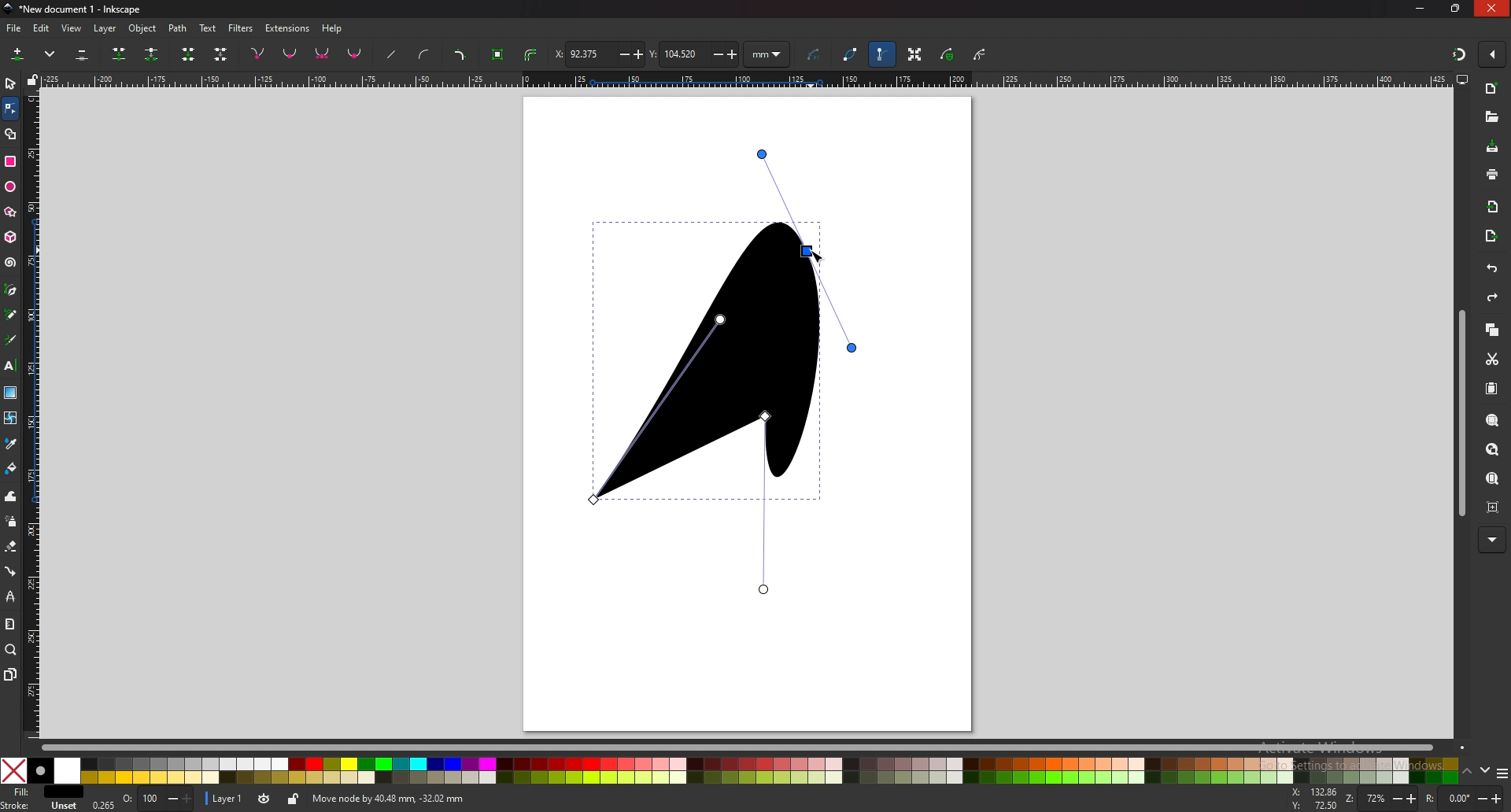 The image size is (1511, 812). What do you see at coordinates (9, 108) in the screenshot?
I see `node` at bounding box center [9, 108].